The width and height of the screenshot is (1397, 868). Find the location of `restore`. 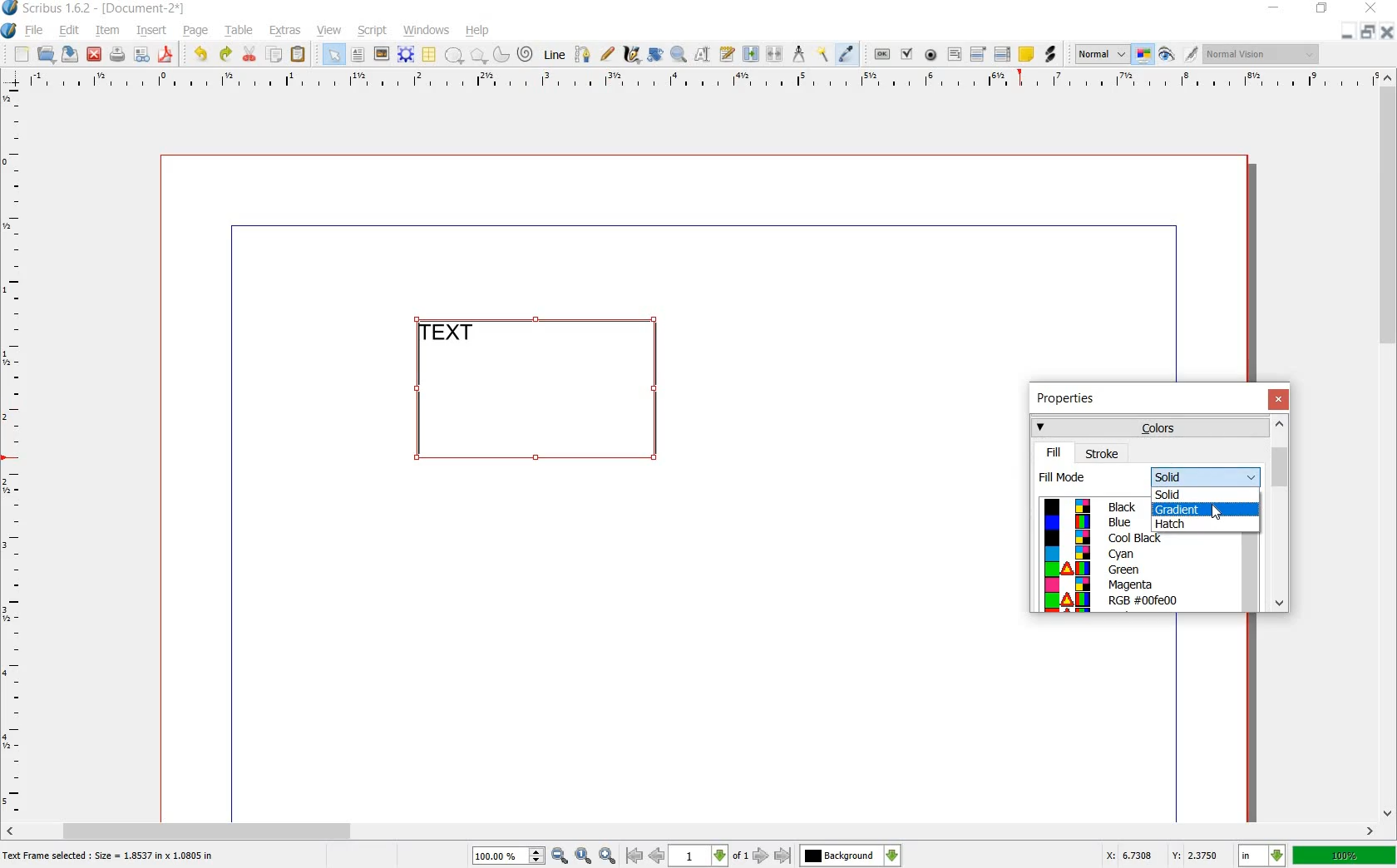

restore is located at coordinates (1367, 33).